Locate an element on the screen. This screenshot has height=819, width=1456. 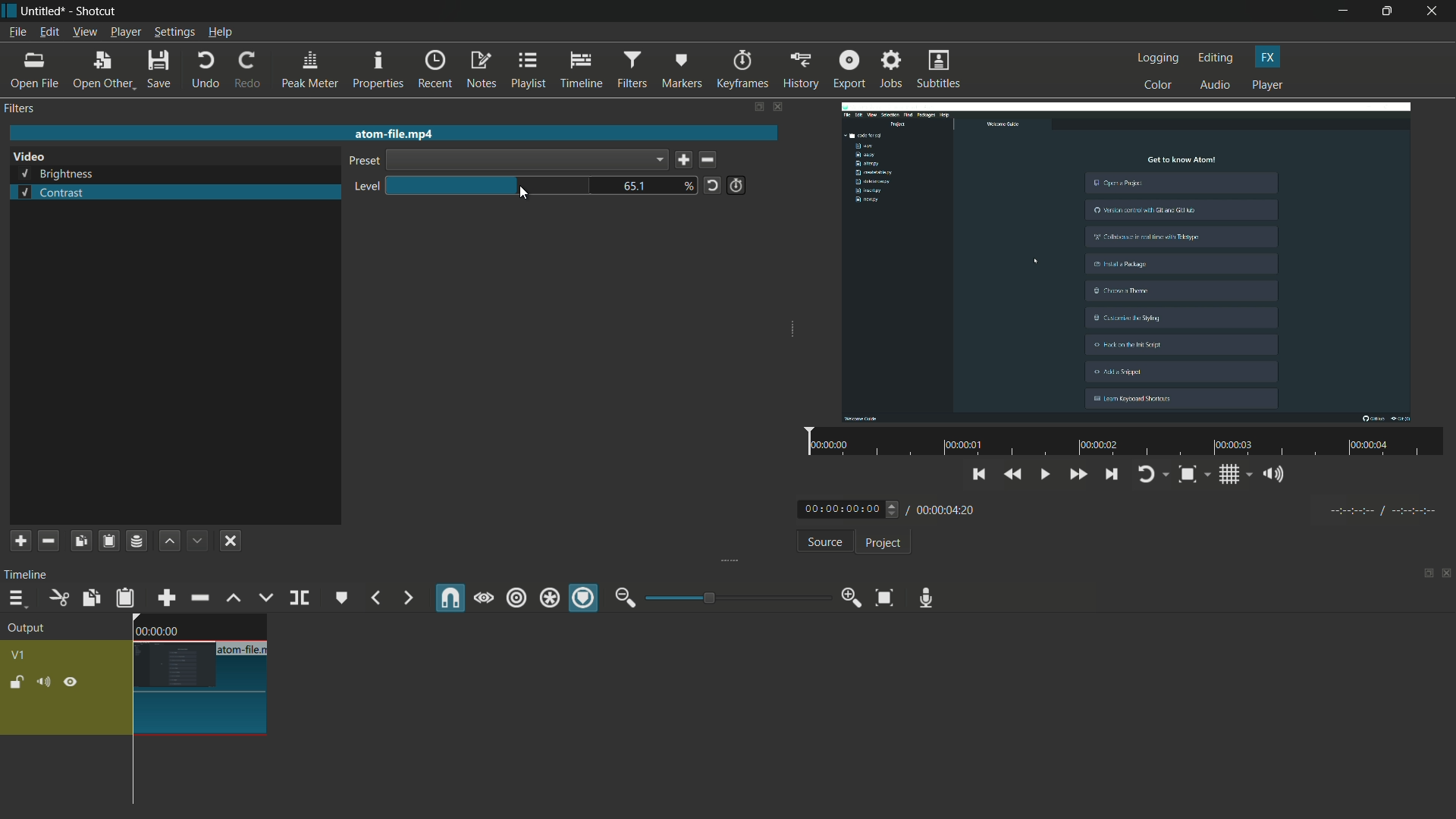
level is located at coordinates (363, 187).